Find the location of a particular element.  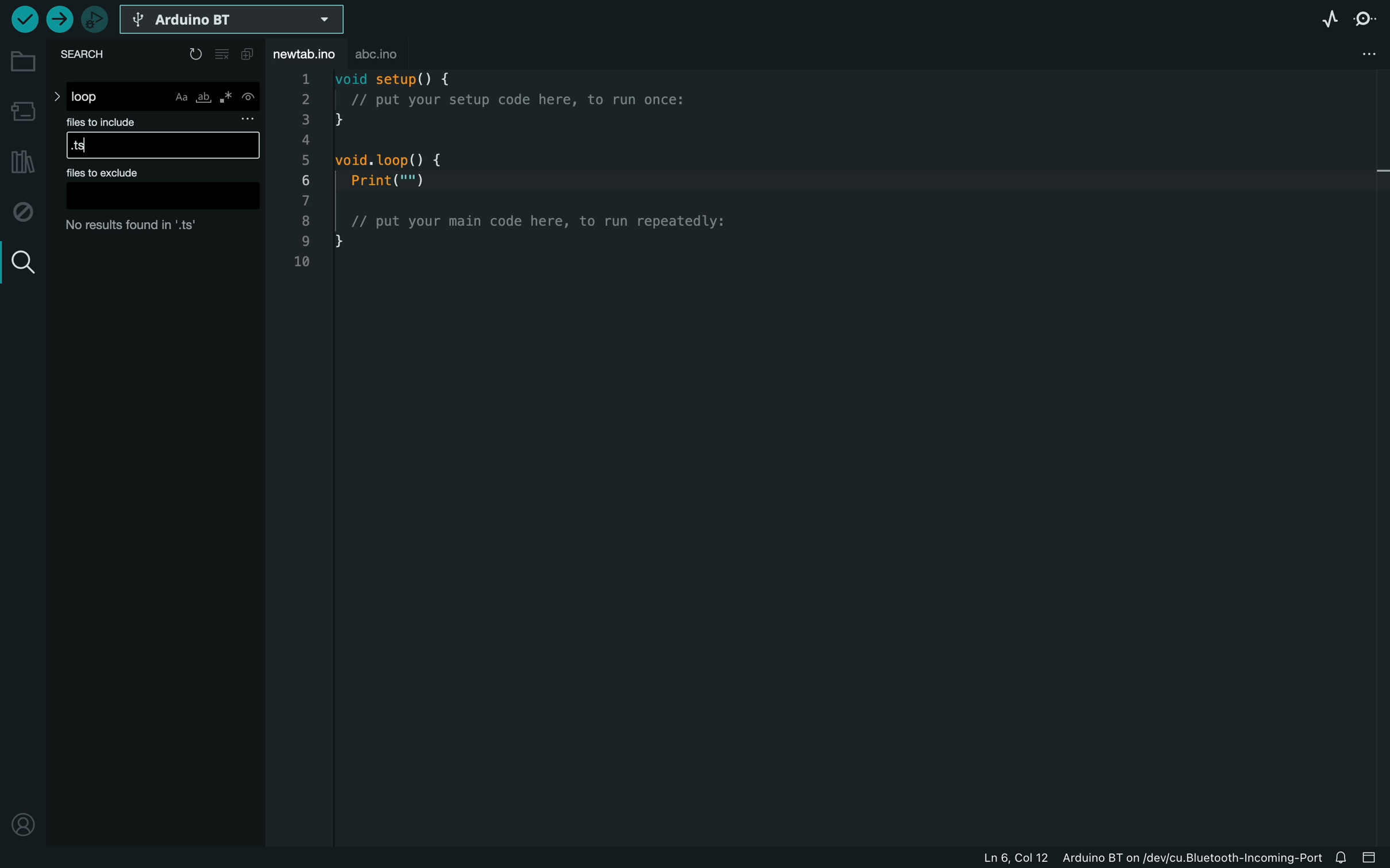

upload is located at coordinates (61, 19).